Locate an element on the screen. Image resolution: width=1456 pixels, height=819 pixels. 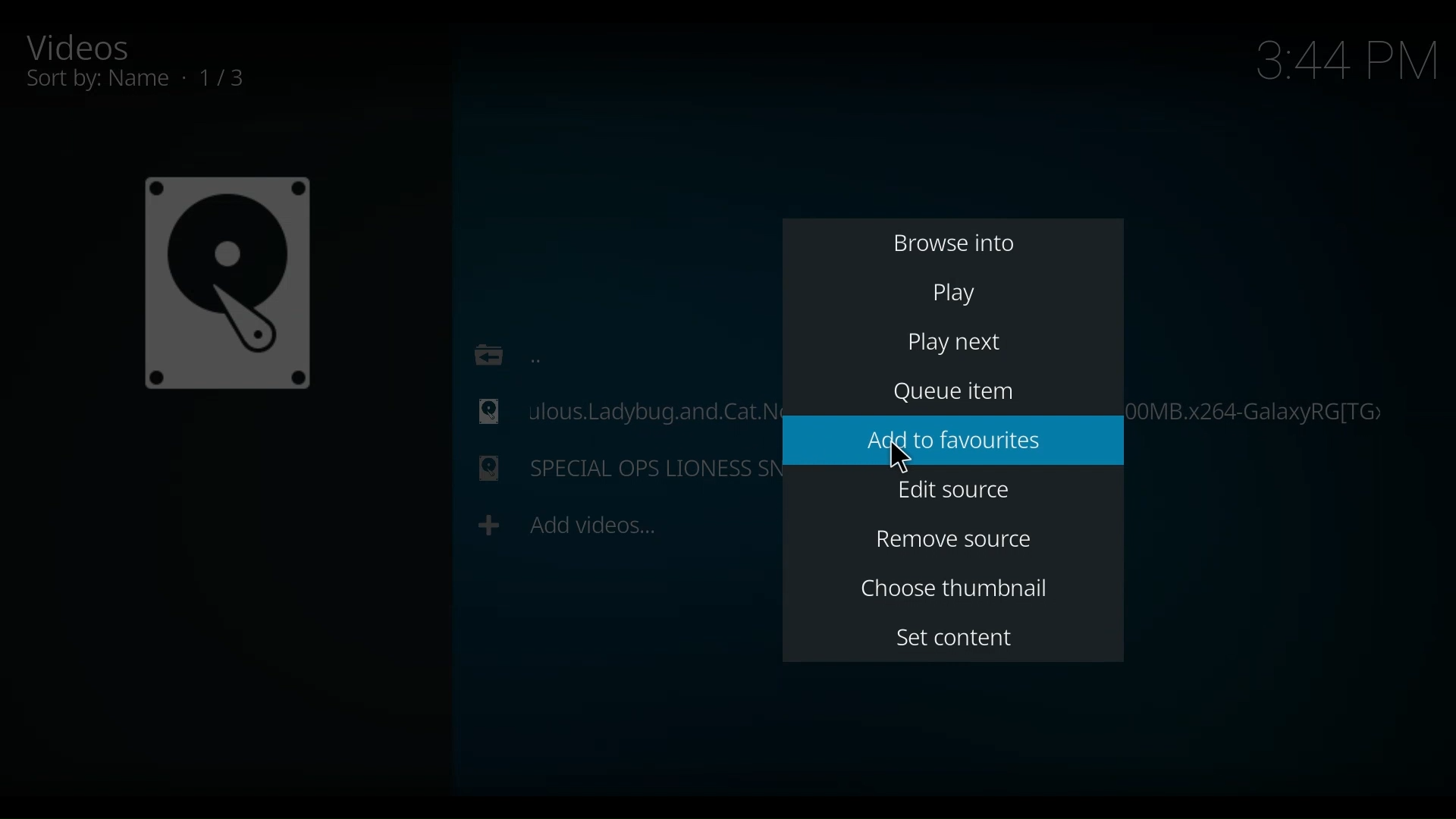
Movie File is located at coordinates (226, 283).